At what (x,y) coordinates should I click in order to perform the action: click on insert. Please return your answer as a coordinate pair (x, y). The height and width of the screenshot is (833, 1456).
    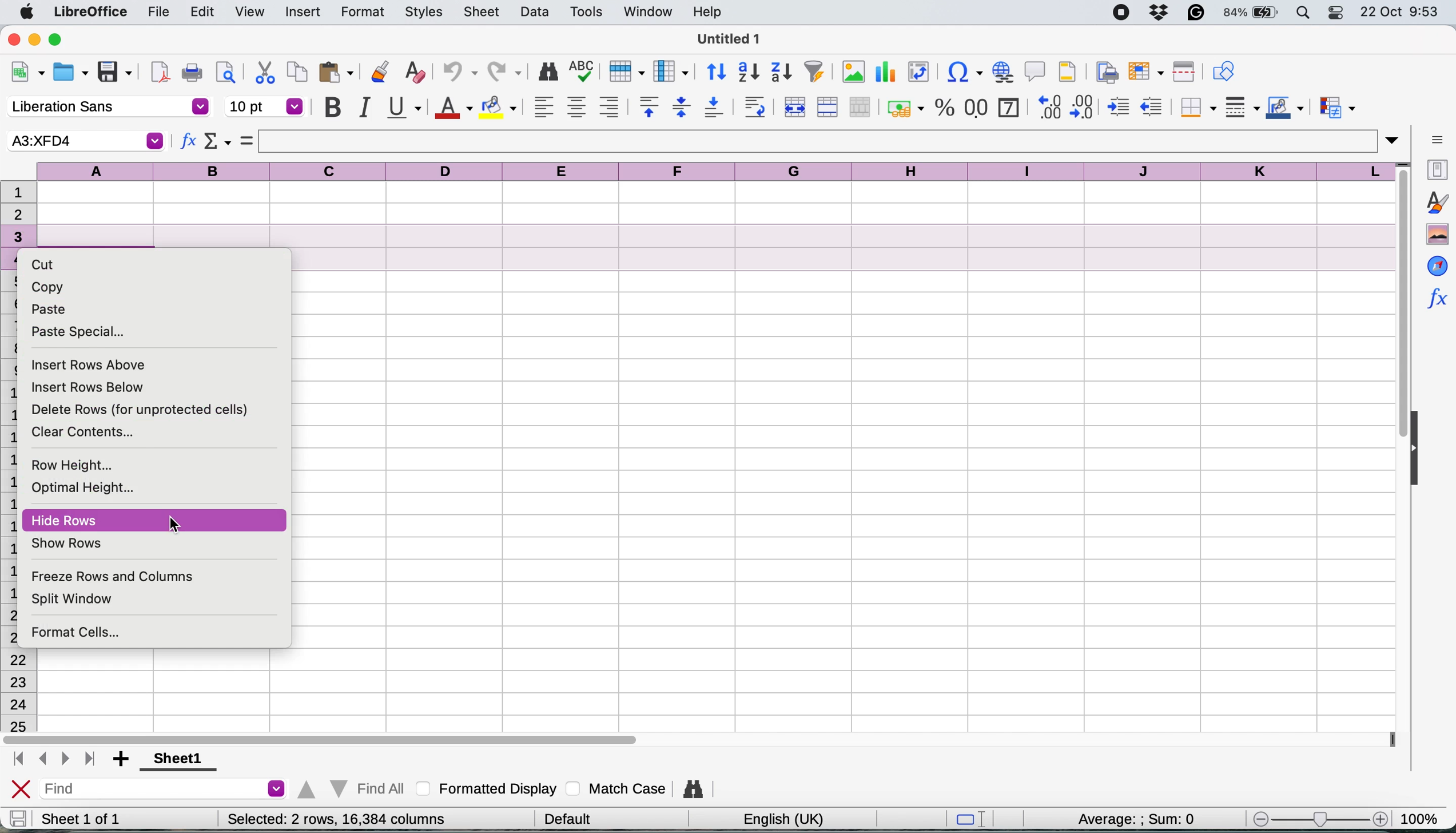
    Looking at the image, I should click on (303, 13).